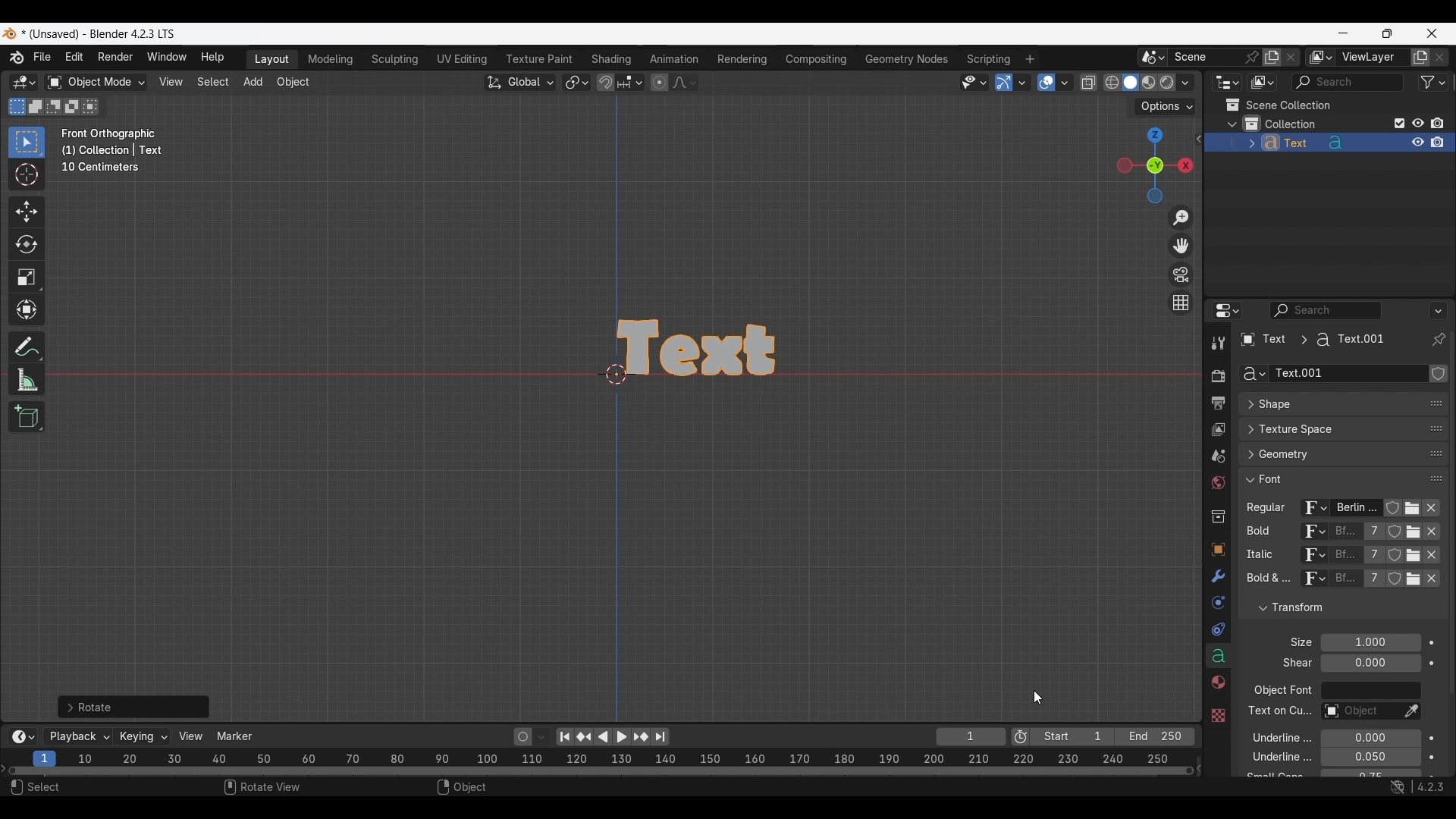 The height and width of the screenshot is (819, 1456). What do you see at coordinates (1112, 737) in the screenshot?
I see `Final frame of the playback rendering range` at bounding box center [1112, 737].